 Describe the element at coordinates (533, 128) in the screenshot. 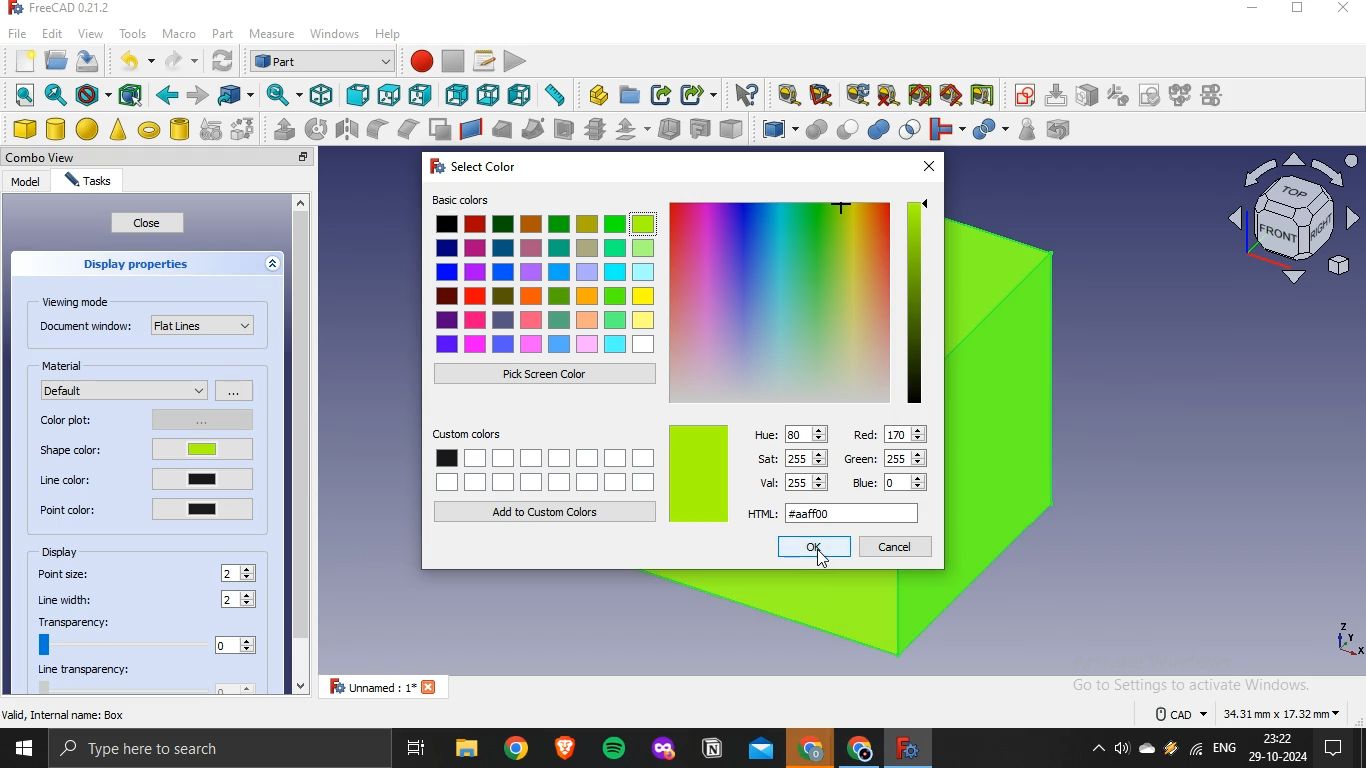

I see `sweep` at that location.